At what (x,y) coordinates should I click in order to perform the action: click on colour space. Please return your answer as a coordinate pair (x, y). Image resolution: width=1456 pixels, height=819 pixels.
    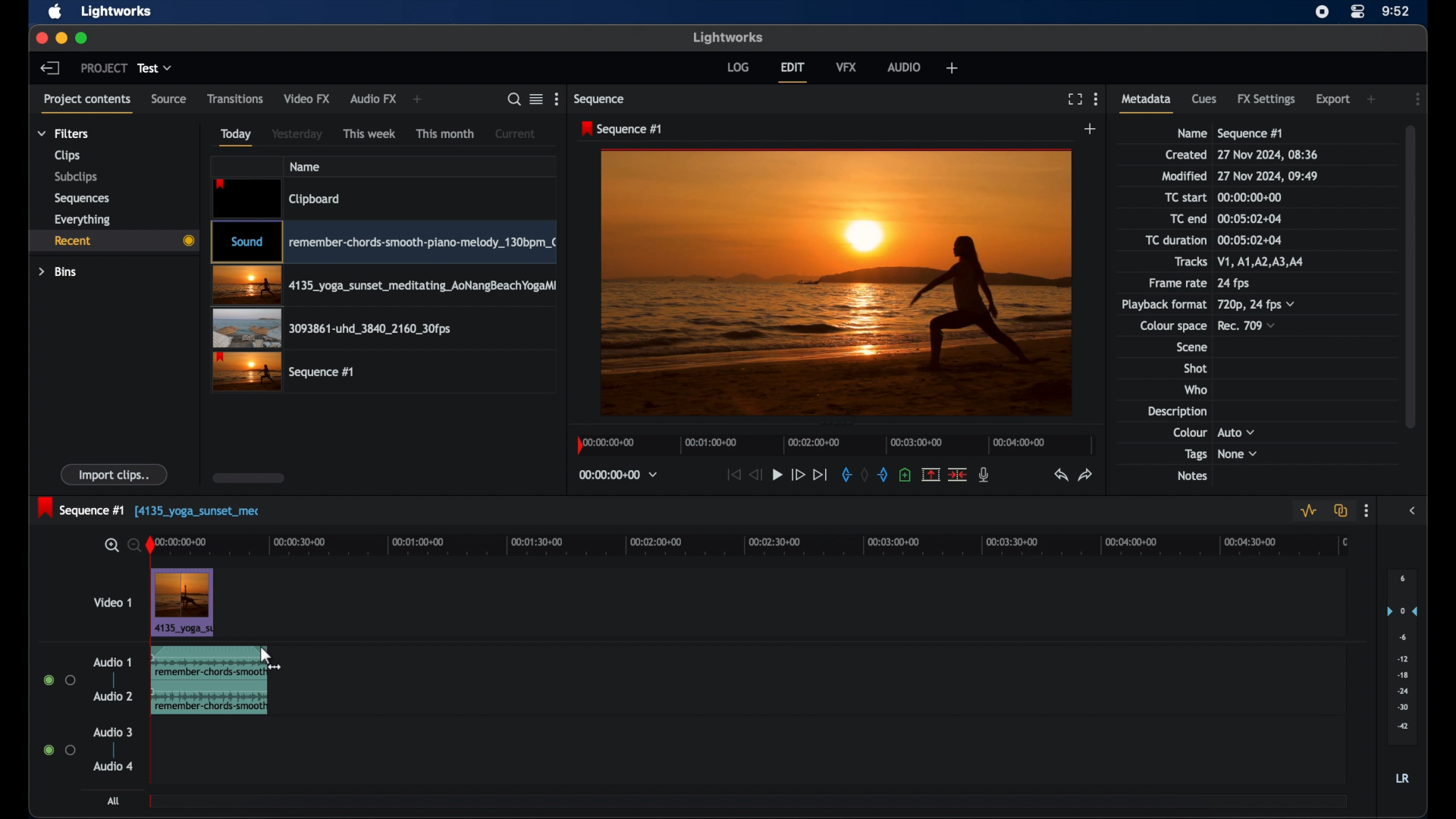
    Looking at the image, I should click on (1173, 326).